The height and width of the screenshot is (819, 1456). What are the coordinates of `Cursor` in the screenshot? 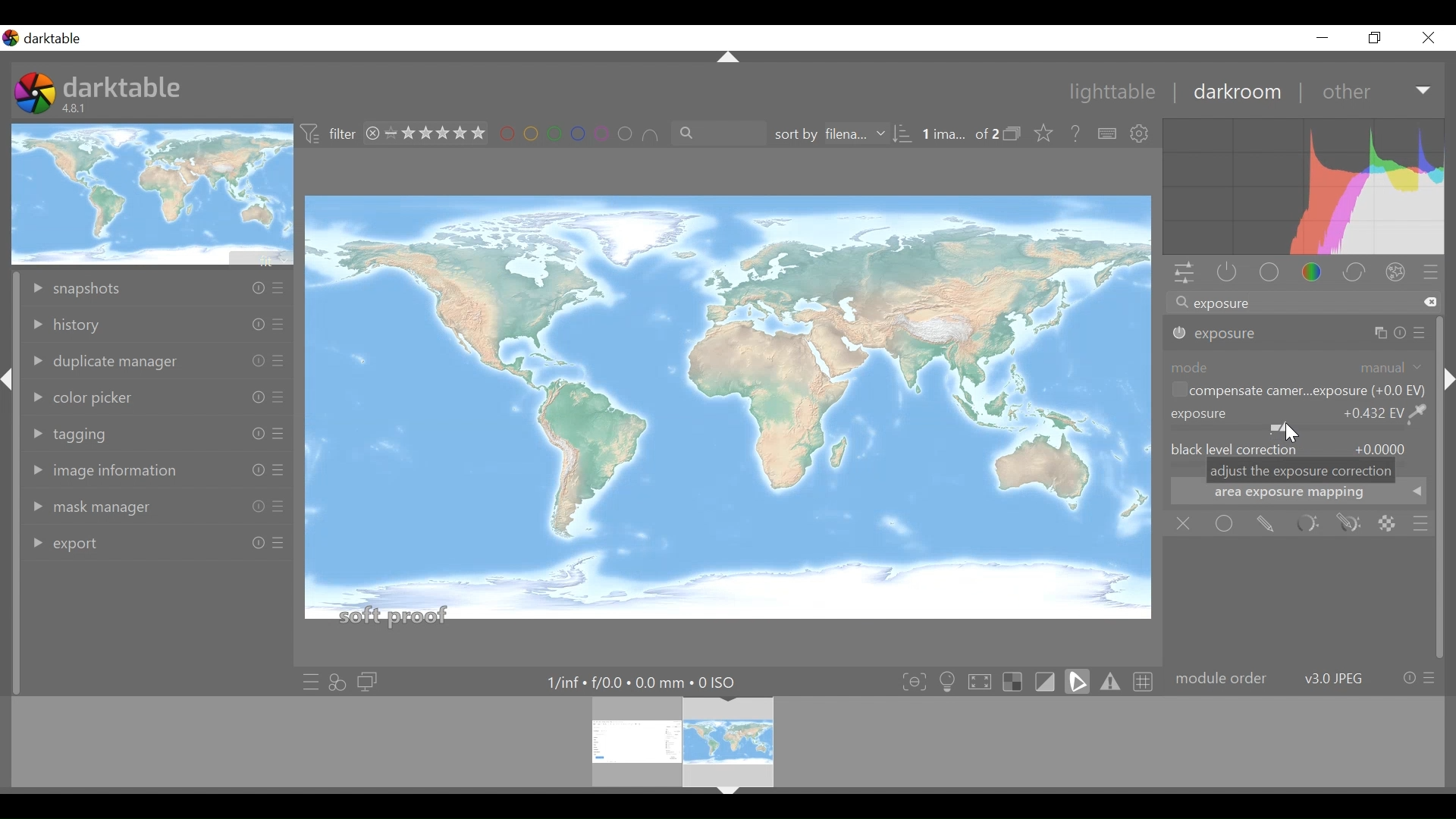 It's located at (1288, 433).